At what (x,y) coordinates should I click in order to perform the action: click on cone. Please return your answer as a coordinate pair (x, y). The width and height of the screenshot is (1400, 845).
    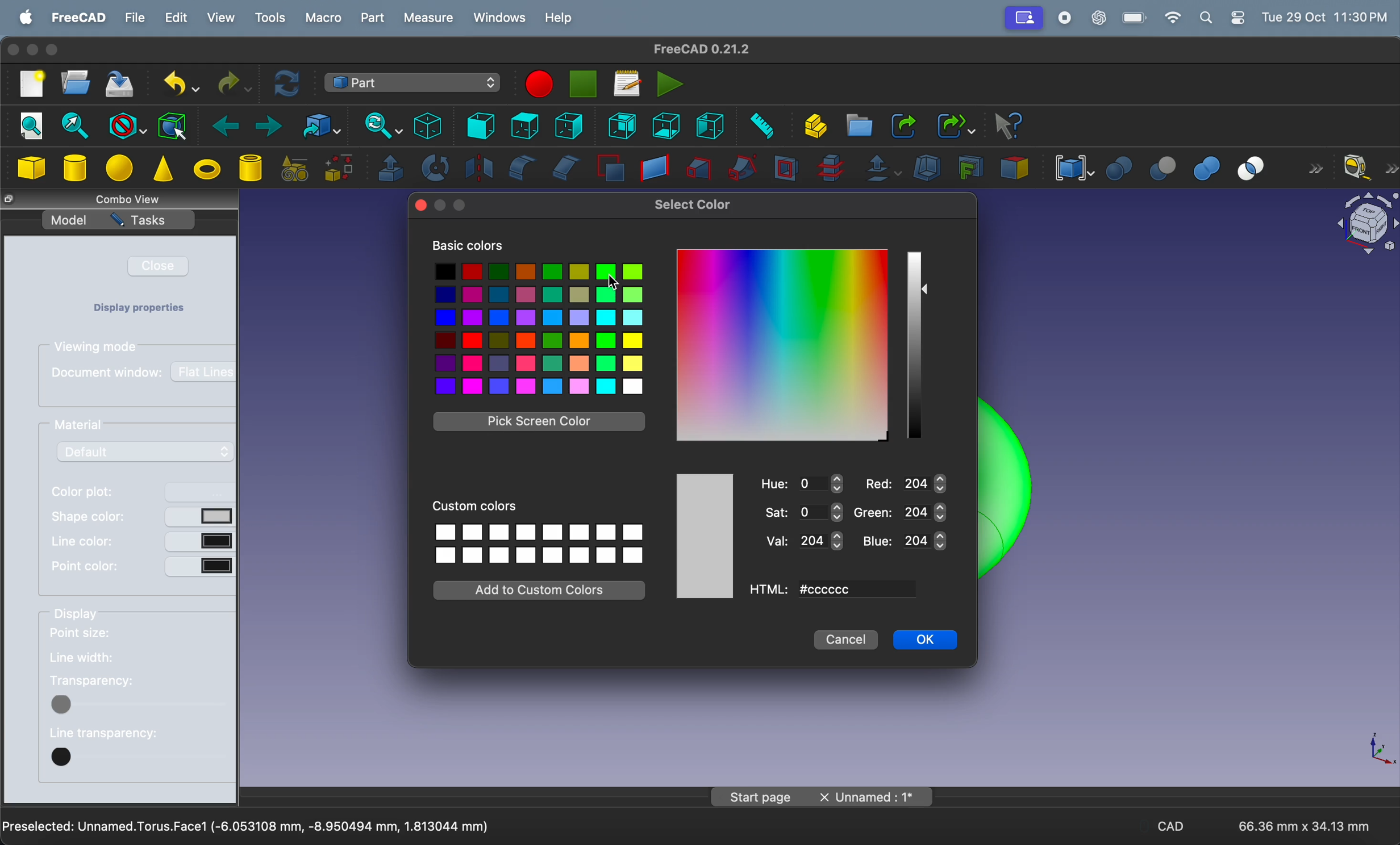
    Looking at the image, I should click on (163, 170).